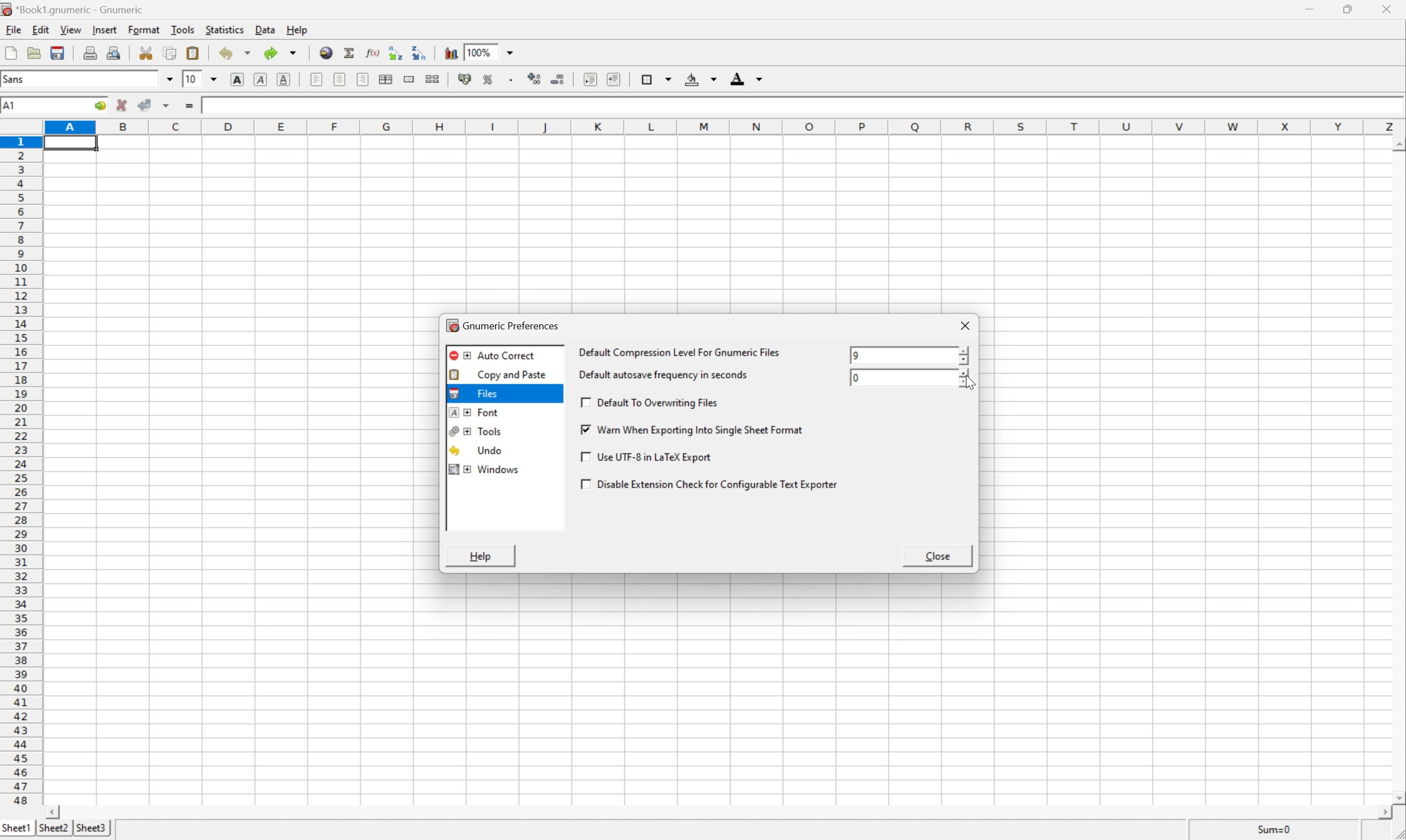  Describe the element at coordinates (471, 392) in the screenshot. I see `files` at that location.